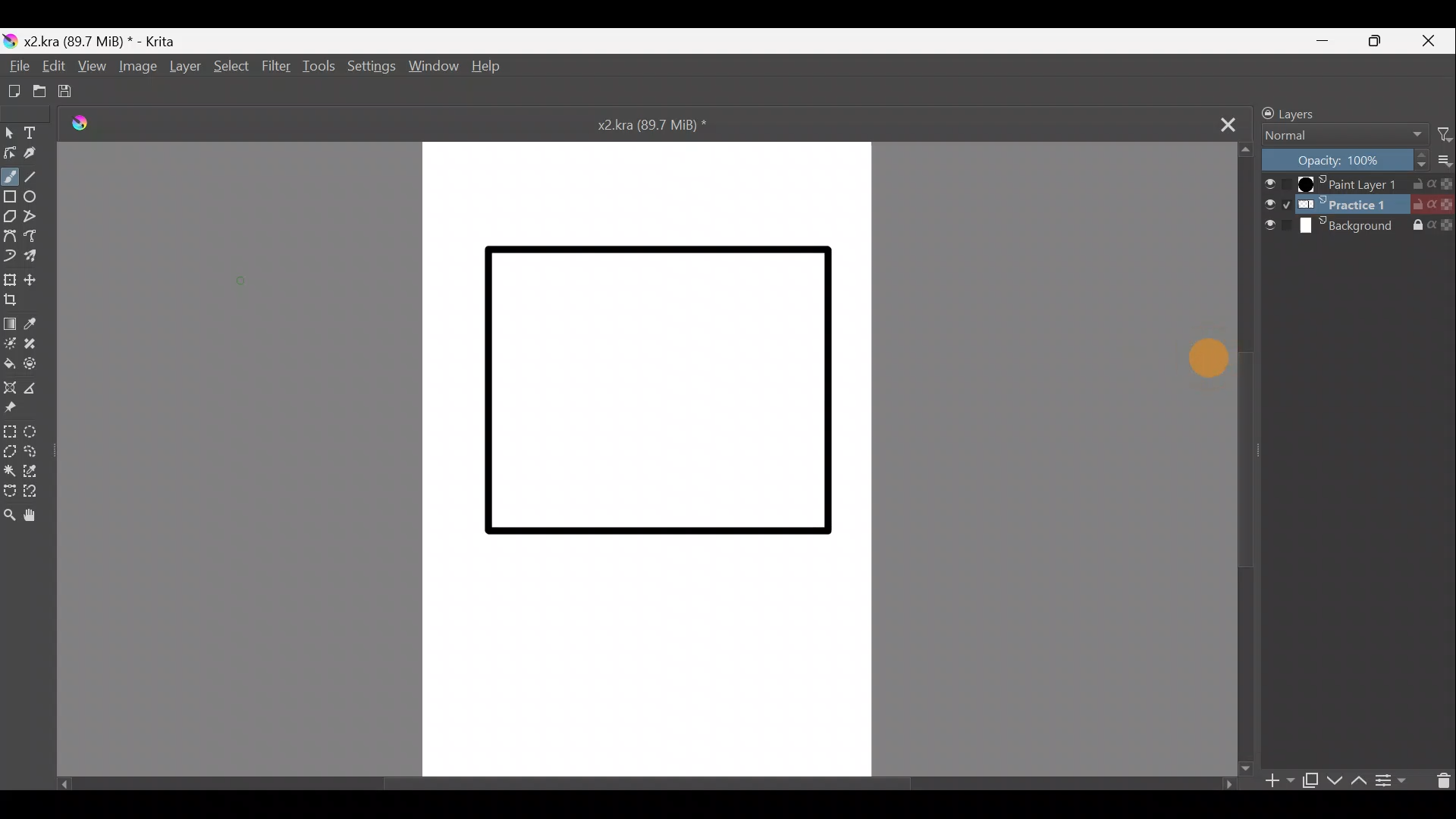 The width and height of the screenshot is (1456, 819). I want to click on More, so click(1442, 162).